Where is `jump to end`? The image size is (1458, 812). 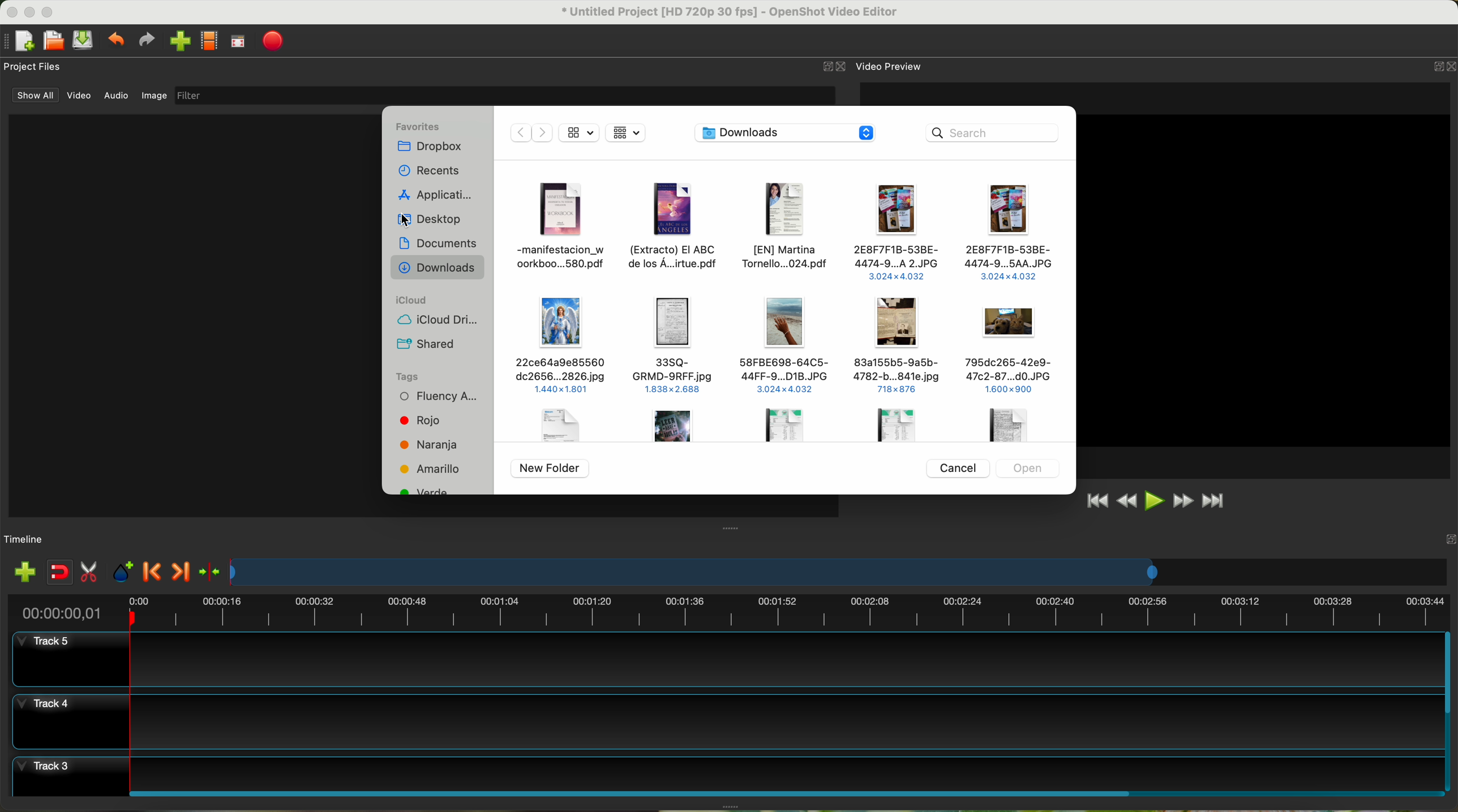
jump to end is located at coordinates (1215, 502).